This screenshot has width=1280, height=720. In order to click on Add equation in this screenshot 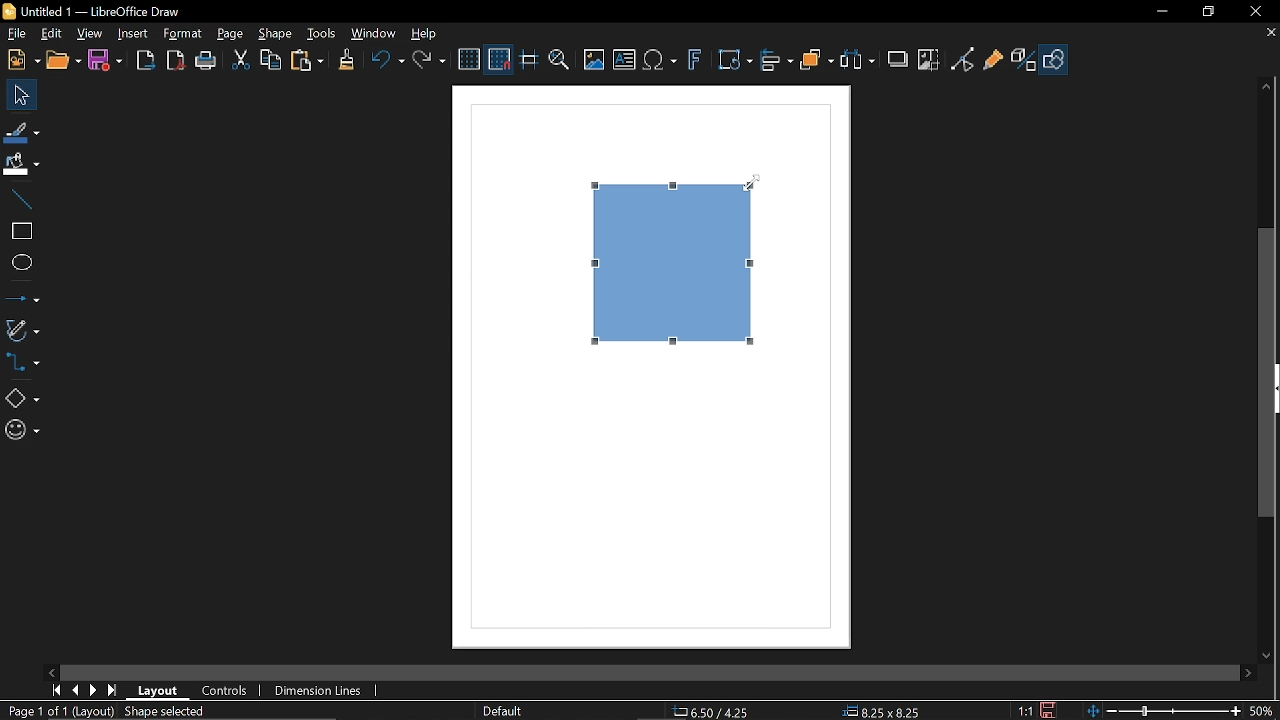, I will do `click(662, 62)`.